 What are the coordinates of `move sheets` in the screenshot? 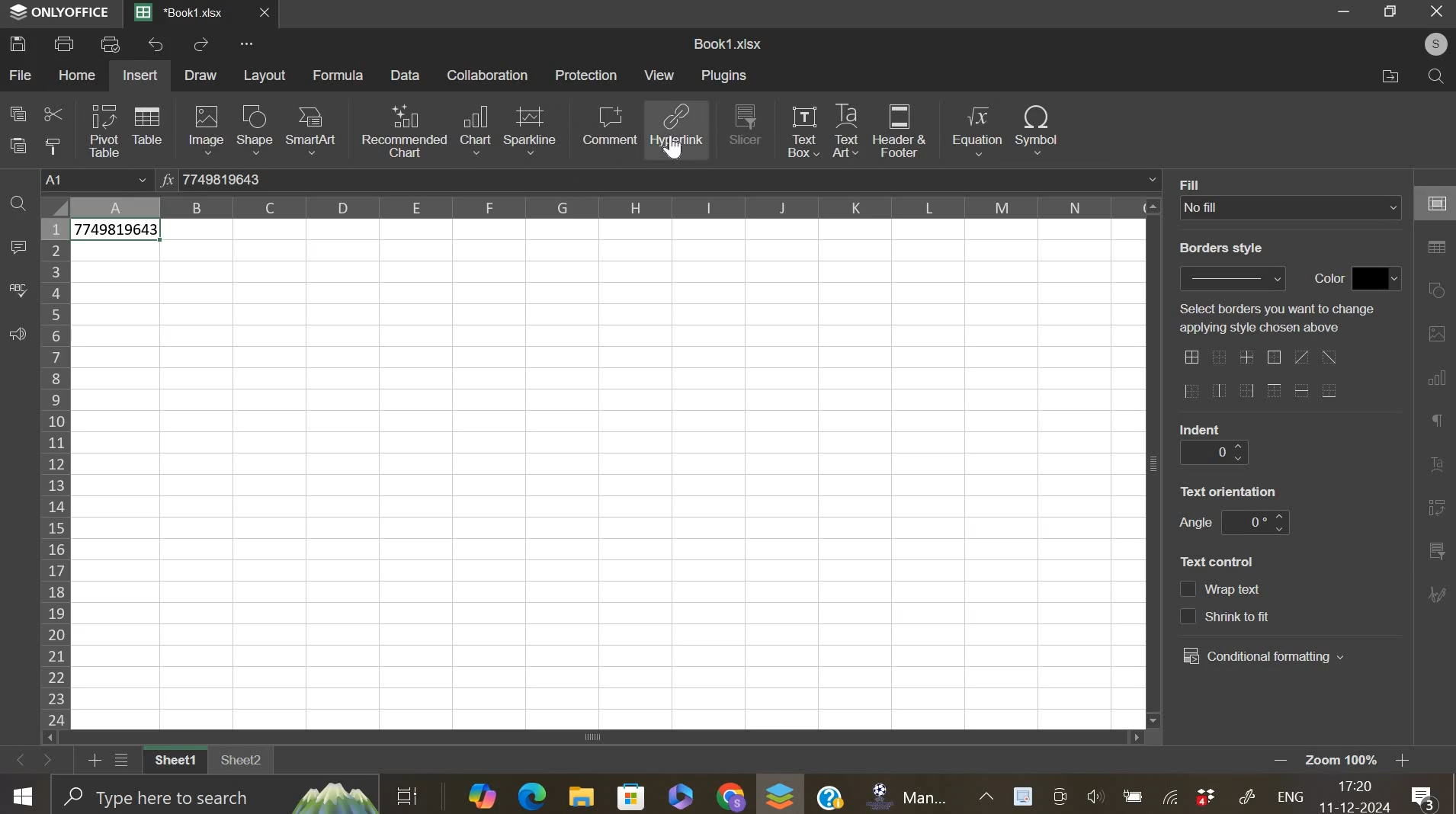 It's located at (36, 759).